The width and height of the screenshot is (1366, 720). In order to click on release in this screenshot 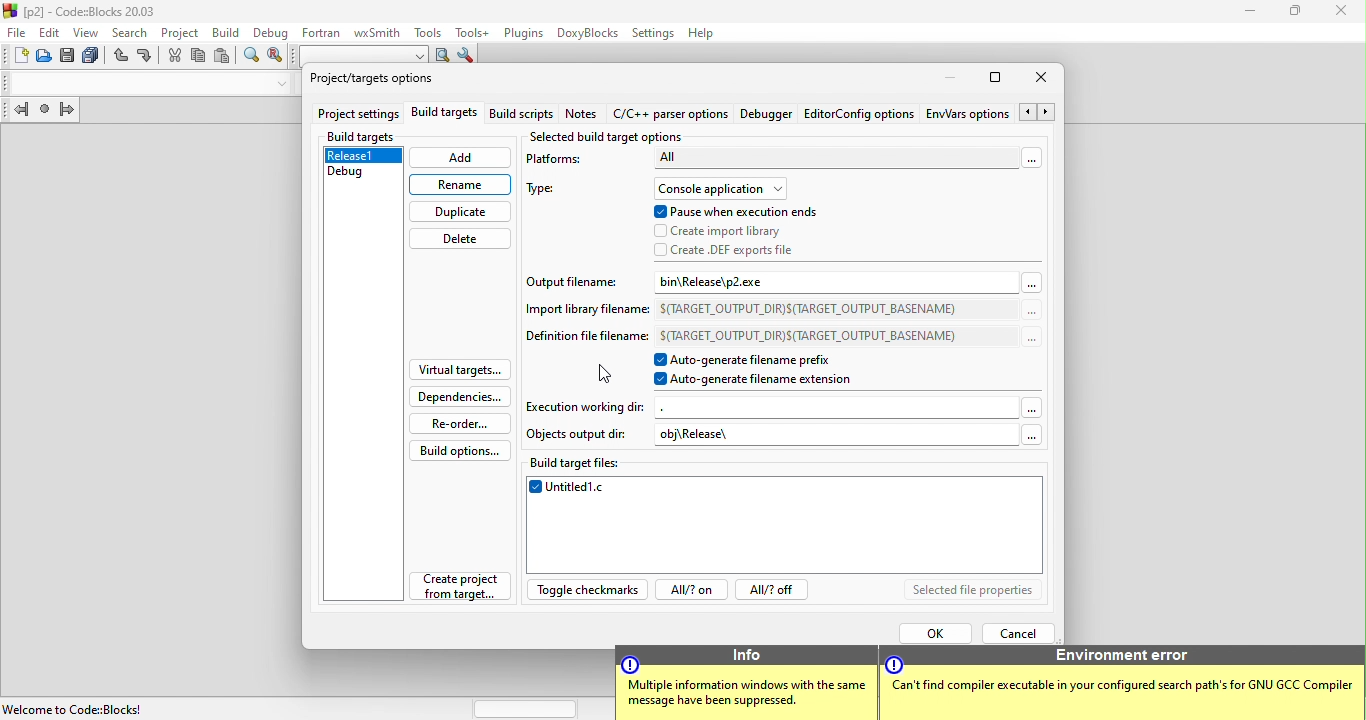, I will do `click(364, 157)`.